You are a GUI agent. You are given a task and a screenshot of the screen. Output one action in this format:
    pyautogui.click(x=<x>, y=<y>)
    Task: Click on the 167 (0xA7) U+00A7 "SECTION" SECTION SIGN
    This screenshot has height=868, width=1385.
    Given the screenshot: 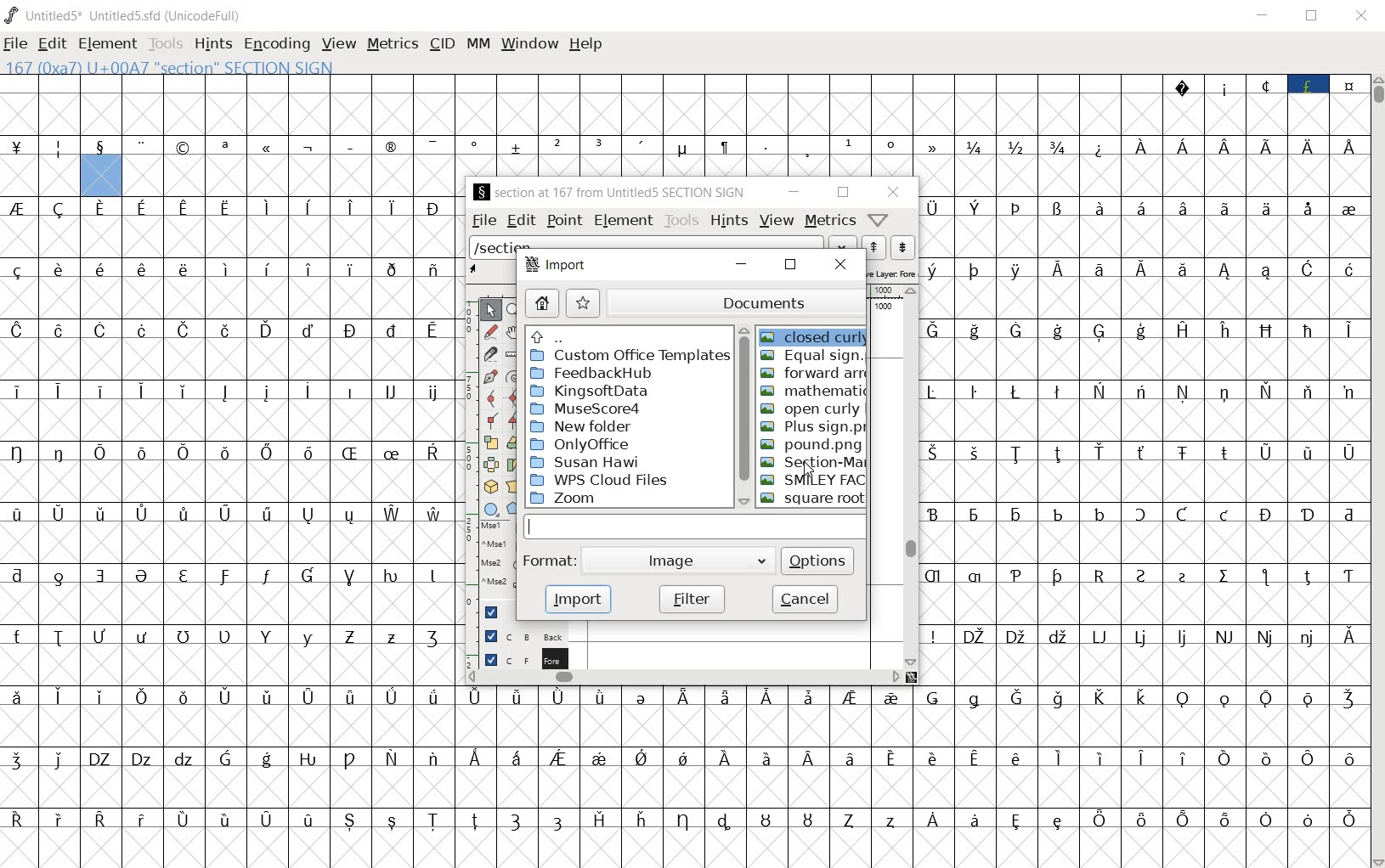 What is the action you would take?
    pyautogui.click(x=225, y=67)
    